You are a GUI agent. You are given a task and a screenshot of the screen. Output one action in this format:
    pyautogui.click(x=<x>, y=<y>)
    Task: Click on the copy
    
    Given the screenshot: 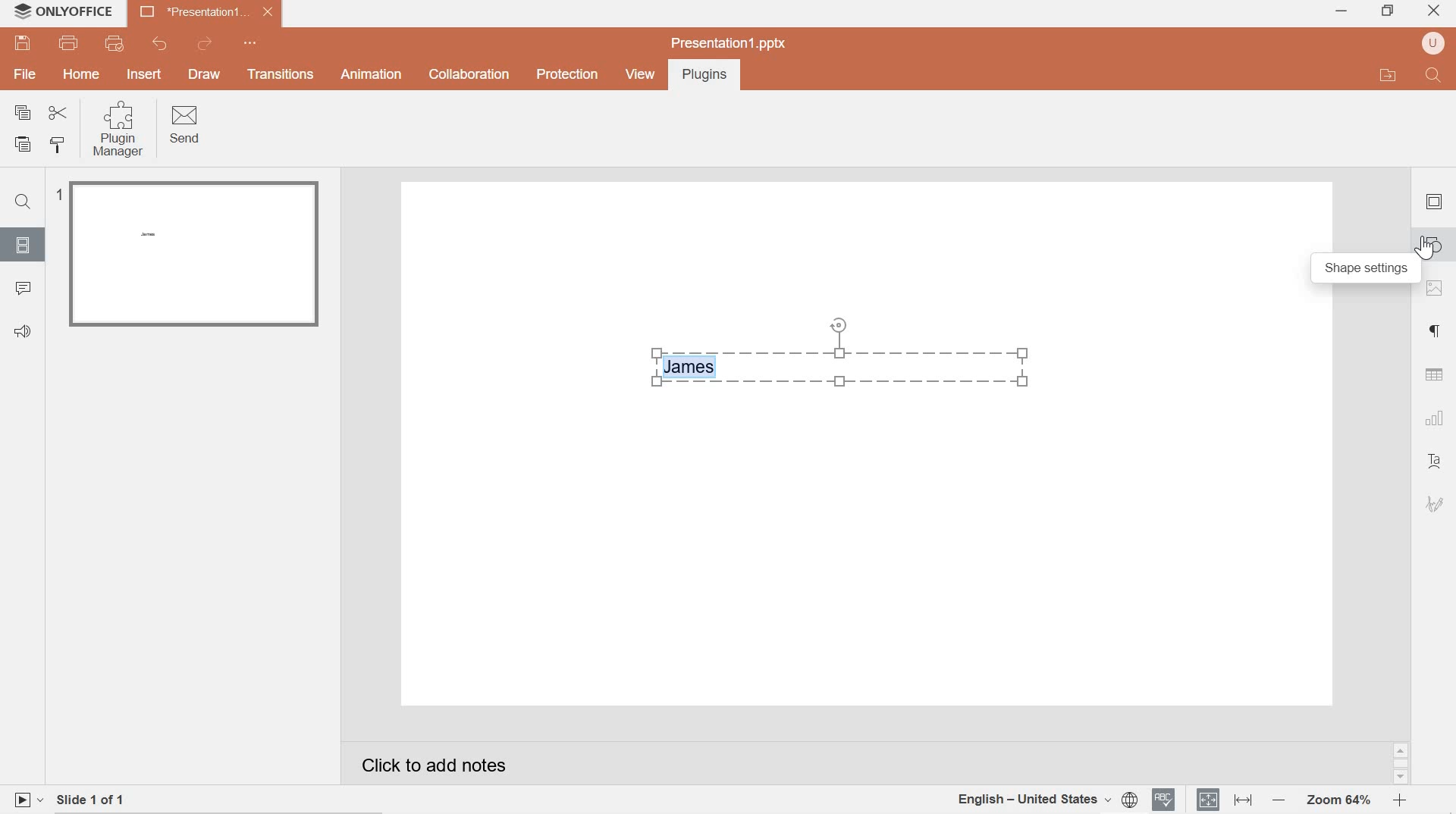 What is the action you would take?
    pyautogui.click(x=23, y=112)
    